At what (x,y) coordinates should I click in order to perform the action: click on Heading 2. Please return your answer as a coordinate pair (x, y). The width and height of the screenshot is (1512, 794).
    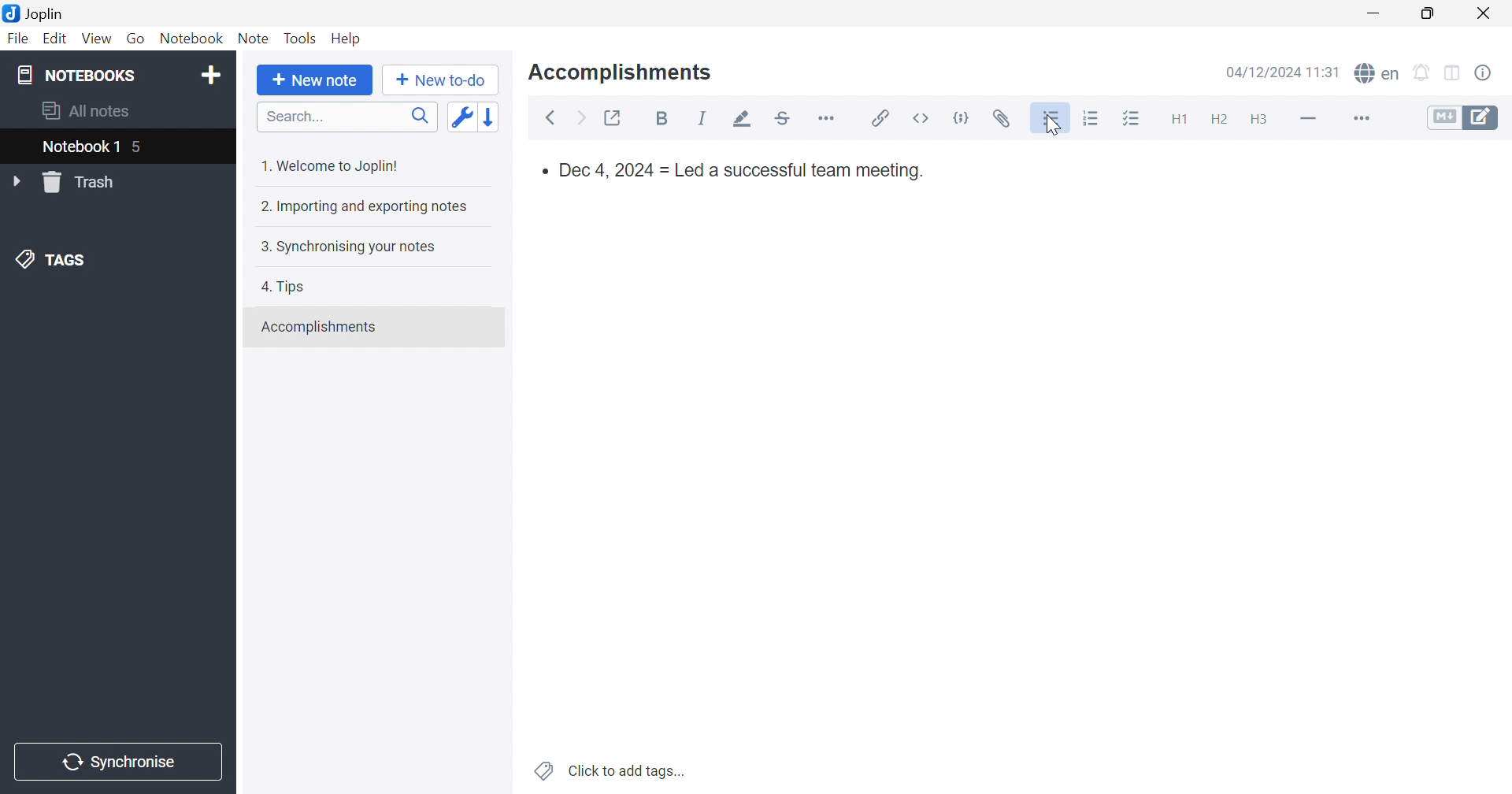
    Looking at the image, I should click on (1217, 117).